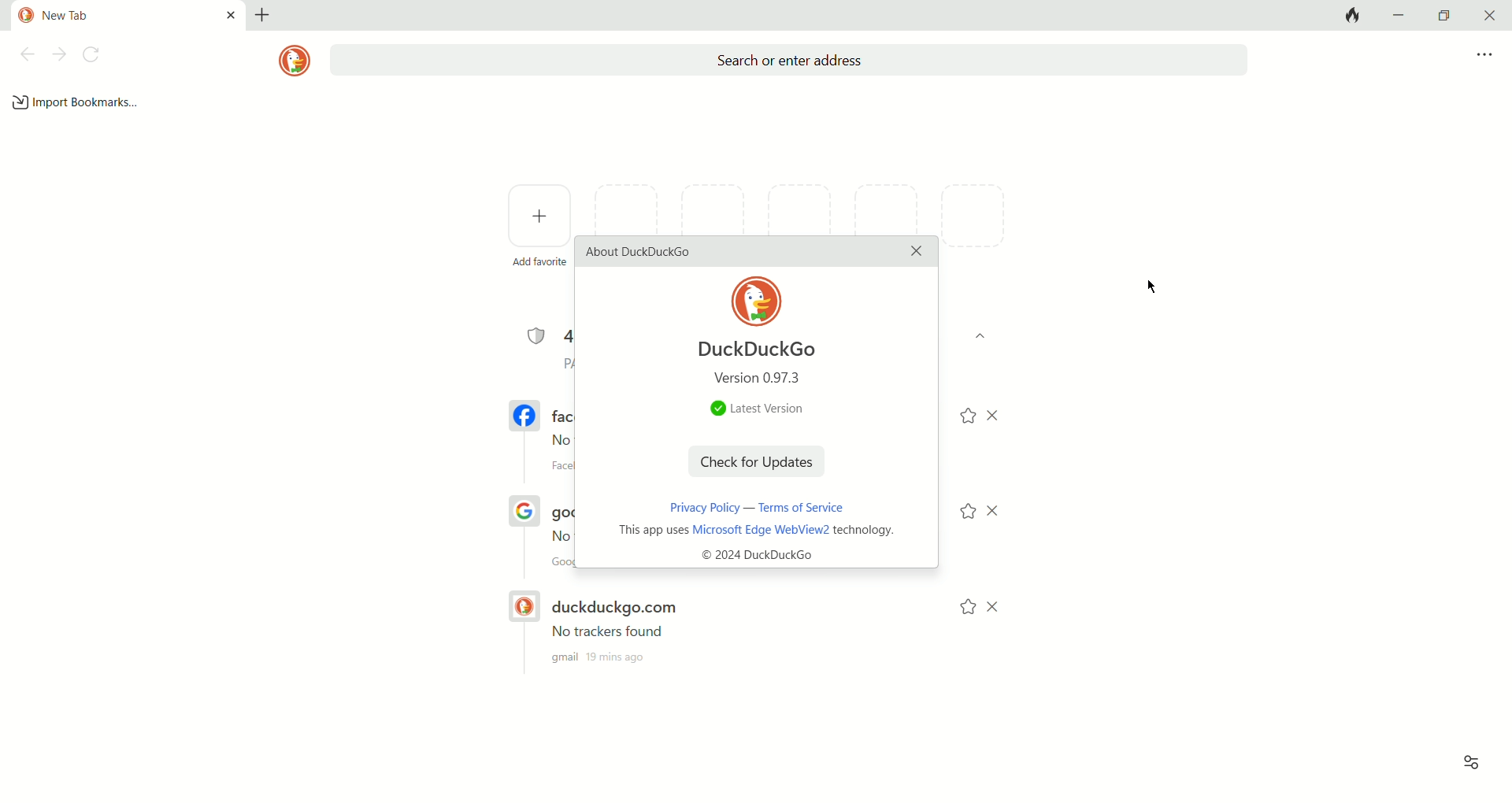 This screenshot has height=803, width=1512. I want to click on privacy policy-Terms of Service, so click(750, 507).